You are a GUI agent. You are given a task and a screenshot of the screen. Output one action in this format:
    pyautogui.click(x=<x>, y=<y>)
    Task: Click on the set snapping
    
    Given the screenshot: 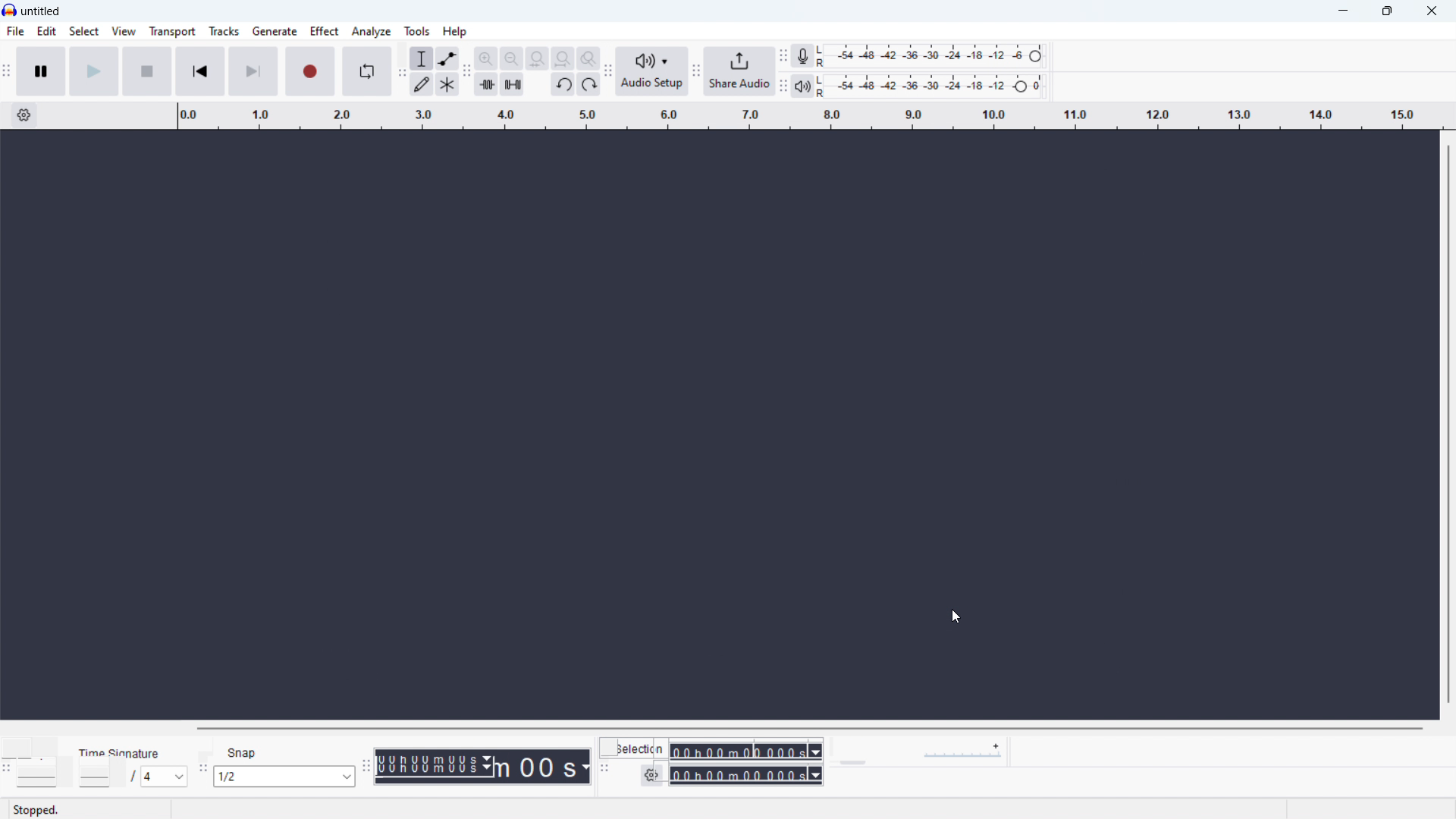 What is the action you would take?
    pyautogui.click(x=284, y=776)
    